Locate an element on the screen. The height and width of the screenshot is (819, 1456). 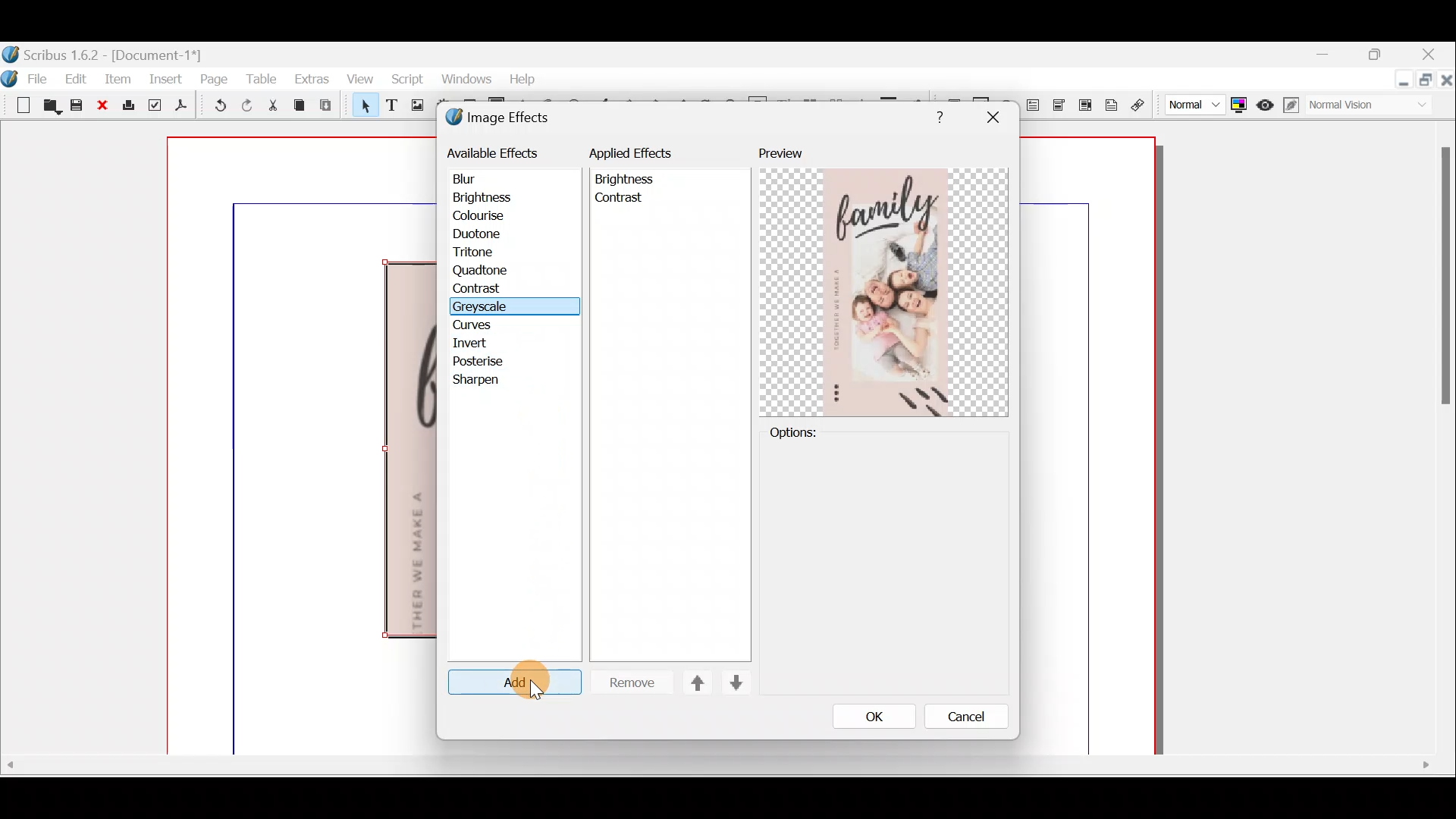
maximise is located at coordinates (1423, 83).